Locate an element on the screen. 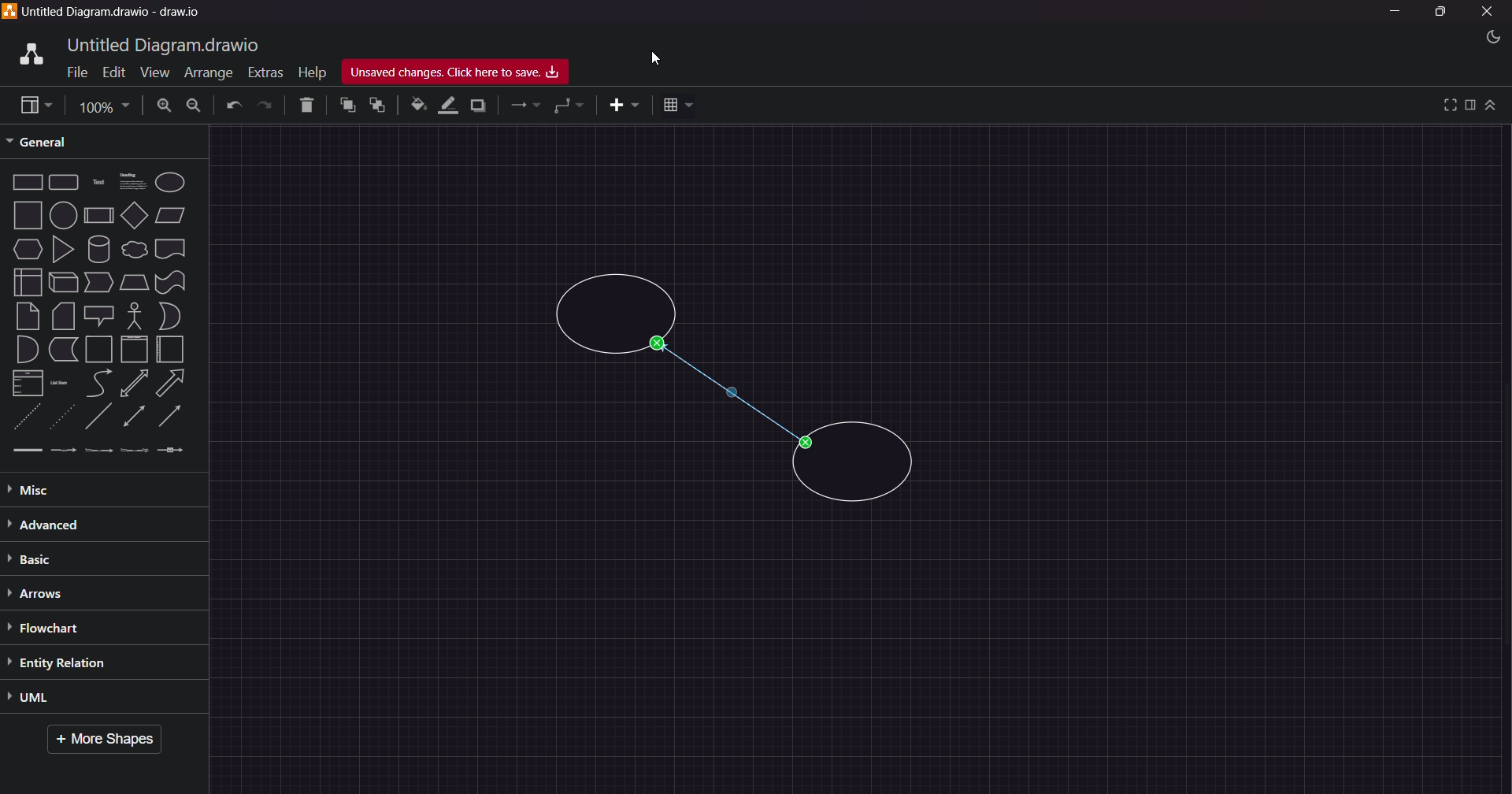 This screenshot has width=1512, height=794. shadow is located at coordinates (481, 105).